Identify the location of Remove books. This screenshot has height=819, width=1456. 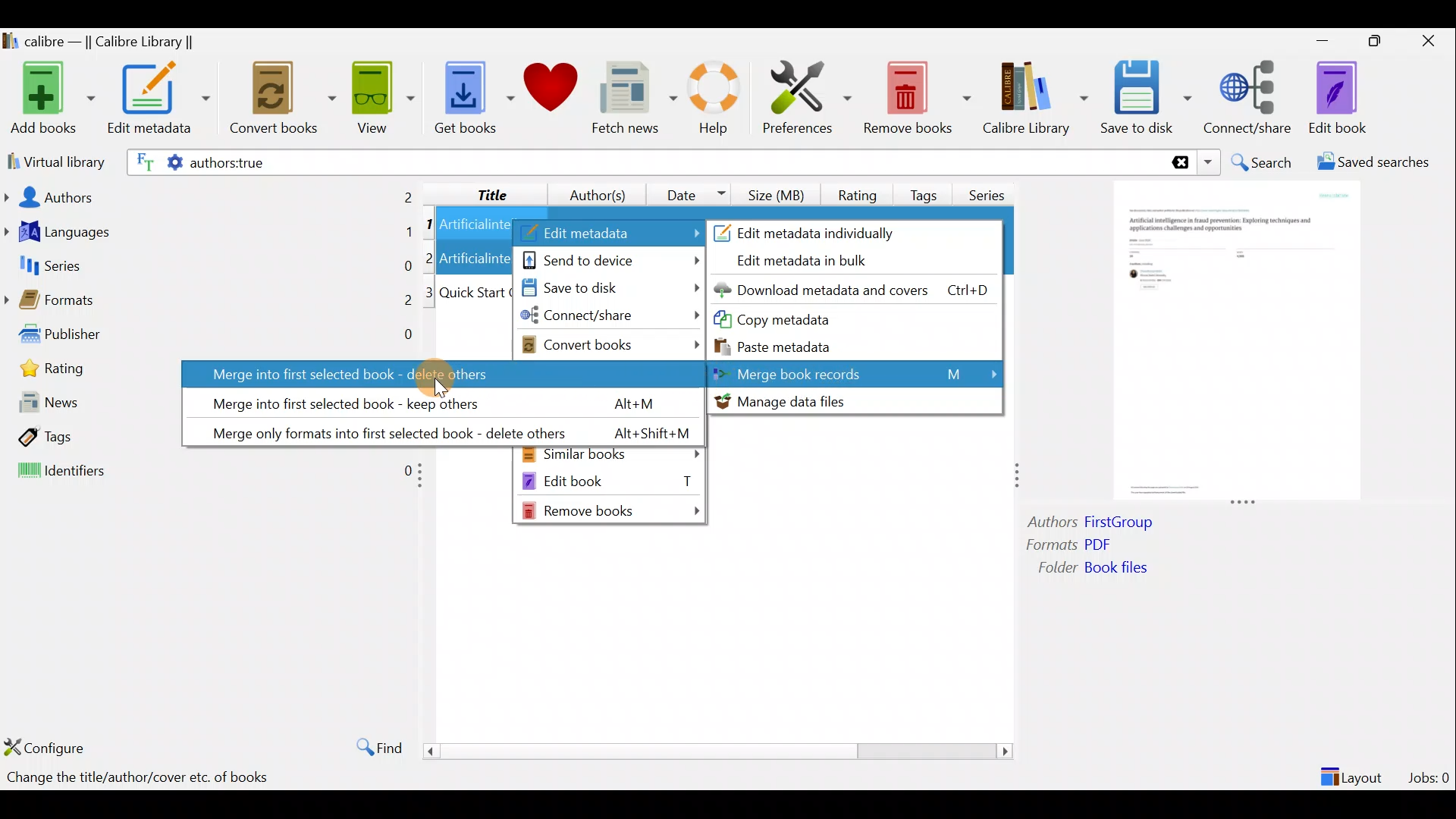
(613, 510).